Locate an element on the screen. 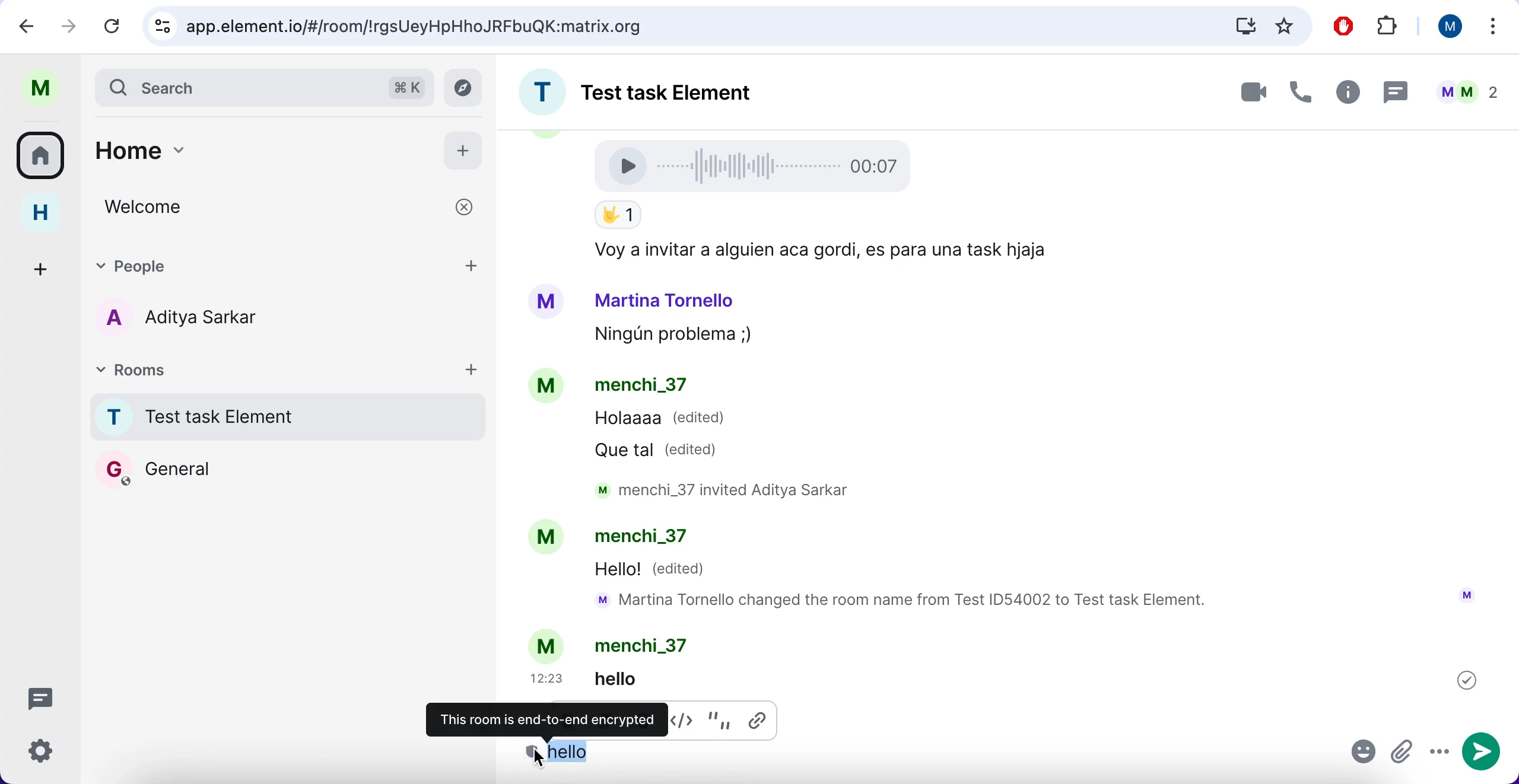 Image resolution: width=1519 pixels, height=784 pixels. quote is located at coordinates (722, 718).